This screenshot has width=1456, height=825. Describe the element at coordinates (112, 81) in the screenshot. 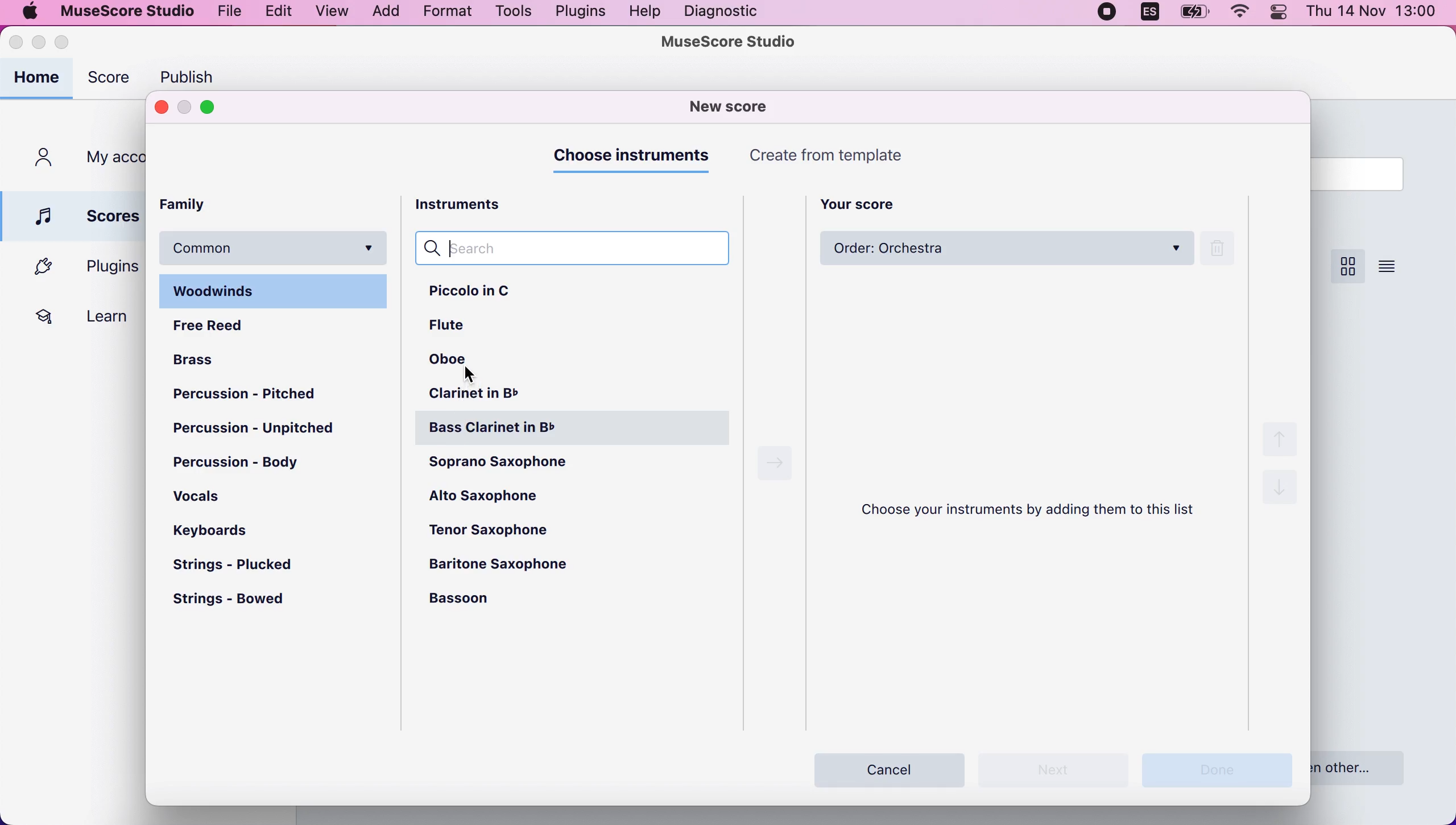

I see `score` at that location.